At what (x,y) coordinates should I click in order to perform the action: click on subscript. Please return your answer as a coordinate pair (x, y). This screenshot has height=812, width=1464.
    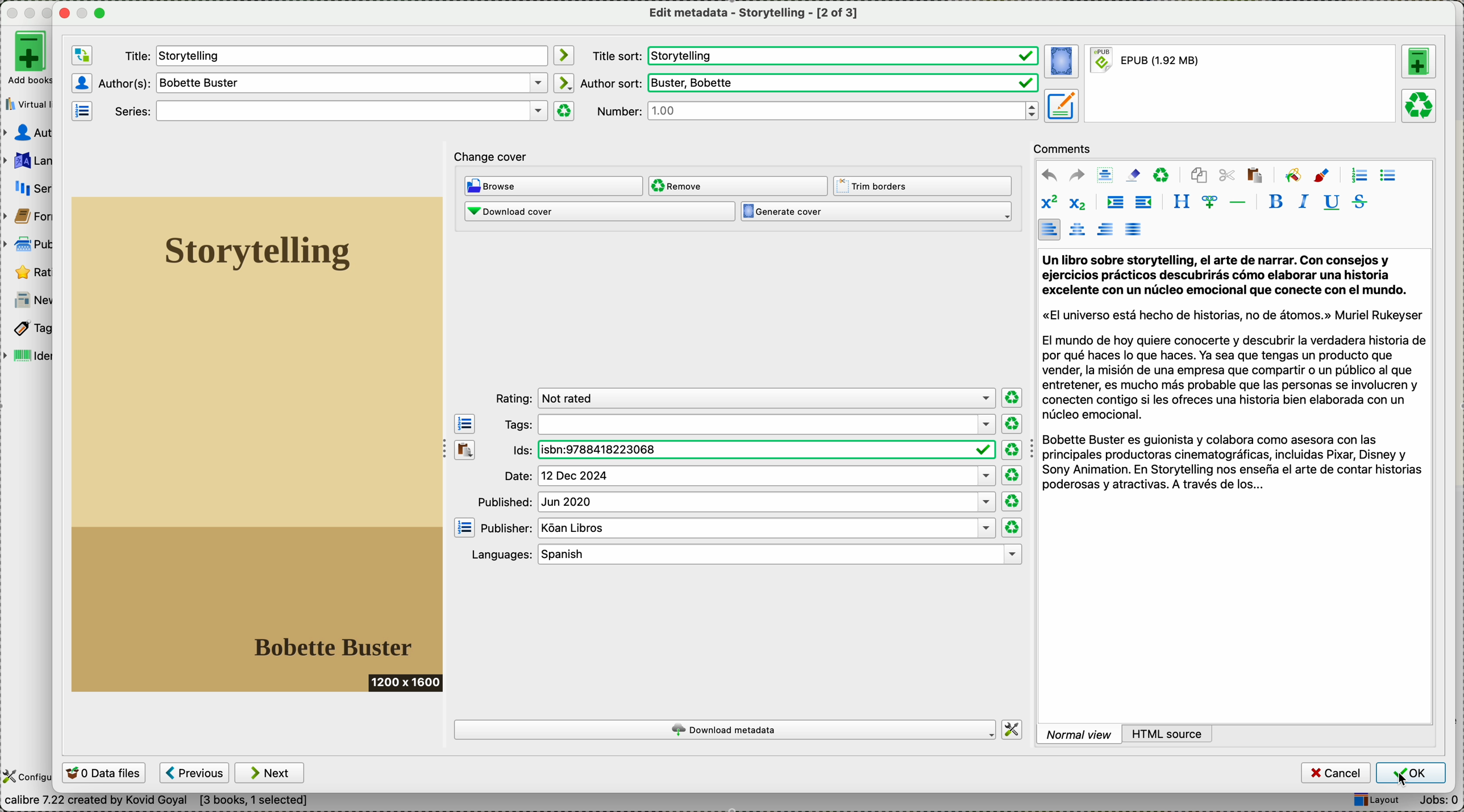
    Looking at the image, I should click on (1078, 204).